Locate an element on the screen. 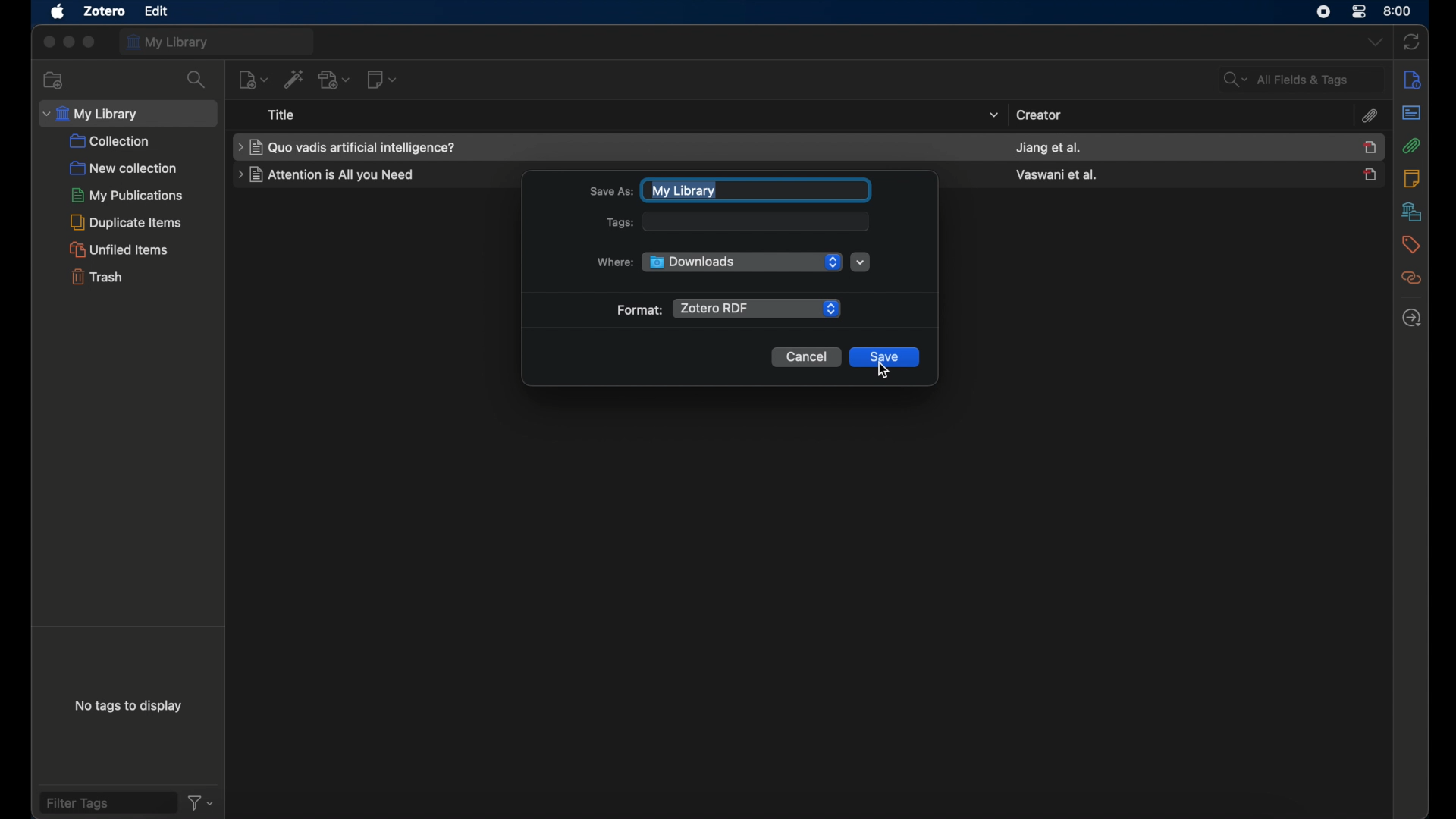 The image size is (1456, 819). search is located at coordinates (196, 80).